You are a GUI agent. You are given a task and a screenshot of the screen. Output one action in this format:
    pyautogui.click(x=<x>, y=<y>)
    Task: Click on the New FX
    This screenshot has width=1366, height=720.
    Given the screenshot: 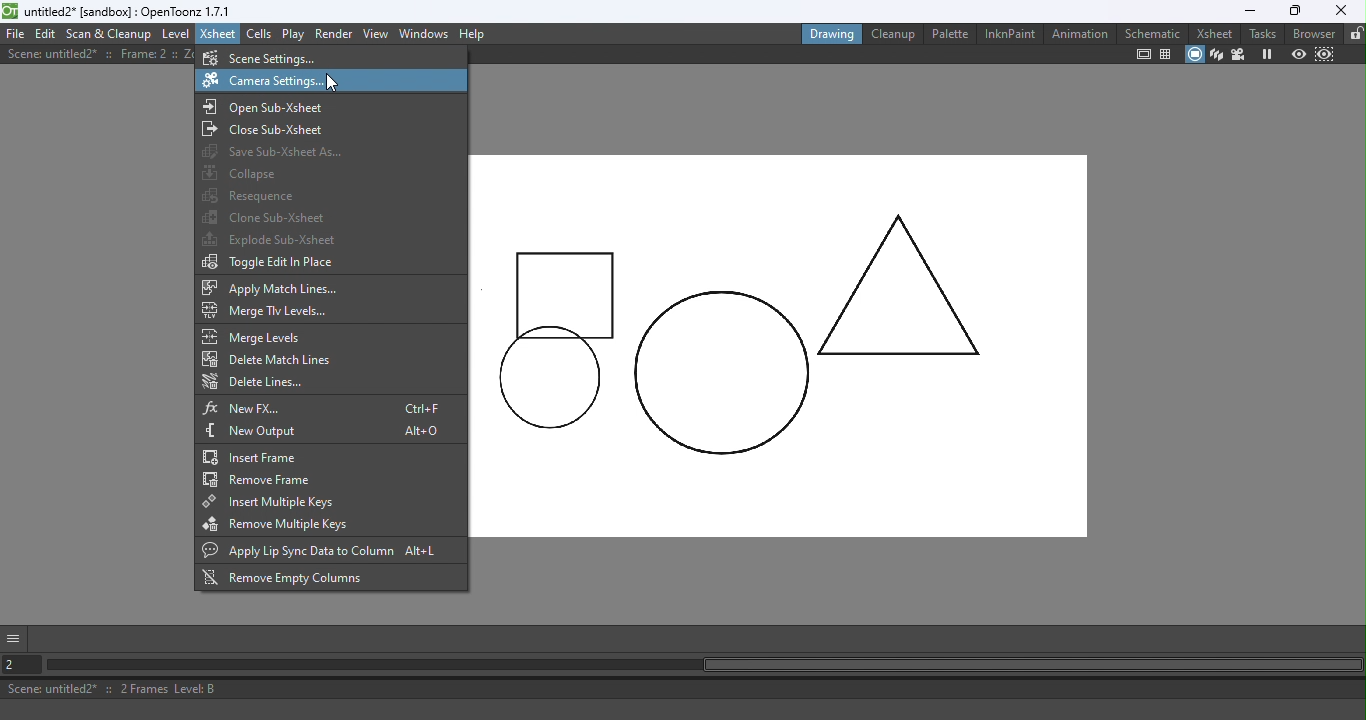 What is the action you would take?
    pyautogui.click(x=325, y=407)
    